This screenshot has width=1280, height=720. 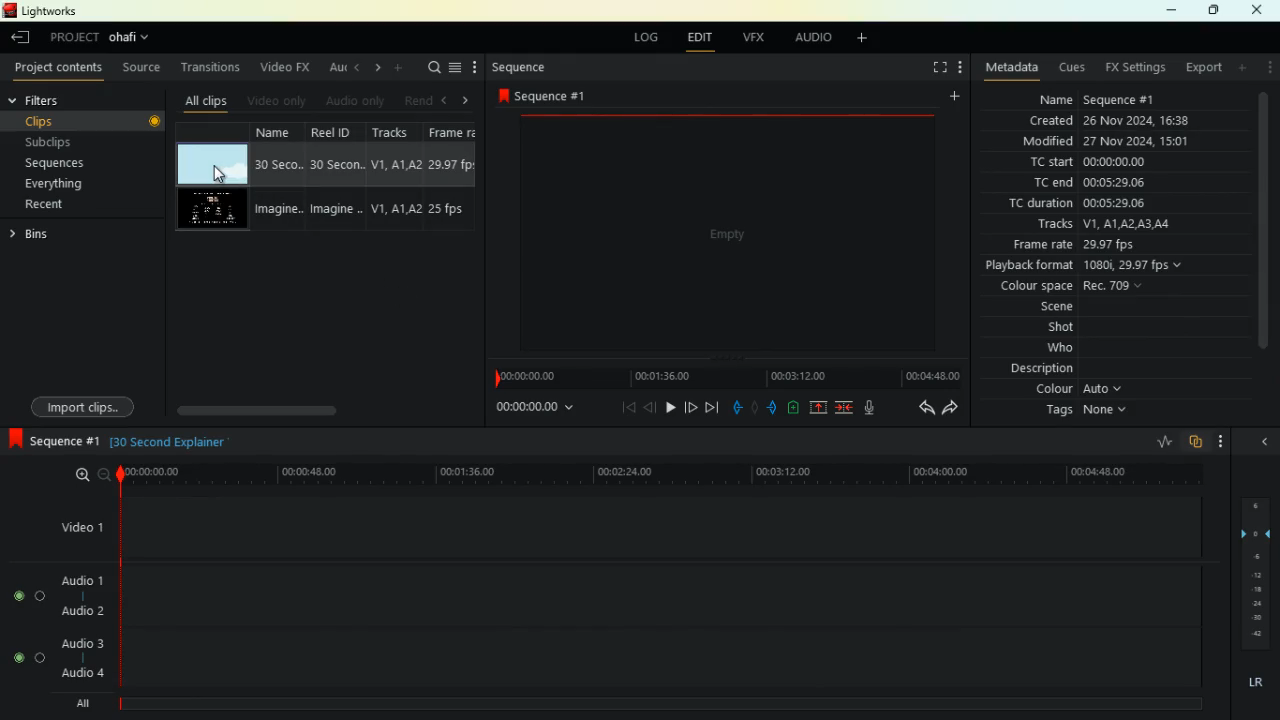 What do you see at coordinates (1211, 11) in the screenshot?
I see `maximize` at bounding box center [1211, 11].